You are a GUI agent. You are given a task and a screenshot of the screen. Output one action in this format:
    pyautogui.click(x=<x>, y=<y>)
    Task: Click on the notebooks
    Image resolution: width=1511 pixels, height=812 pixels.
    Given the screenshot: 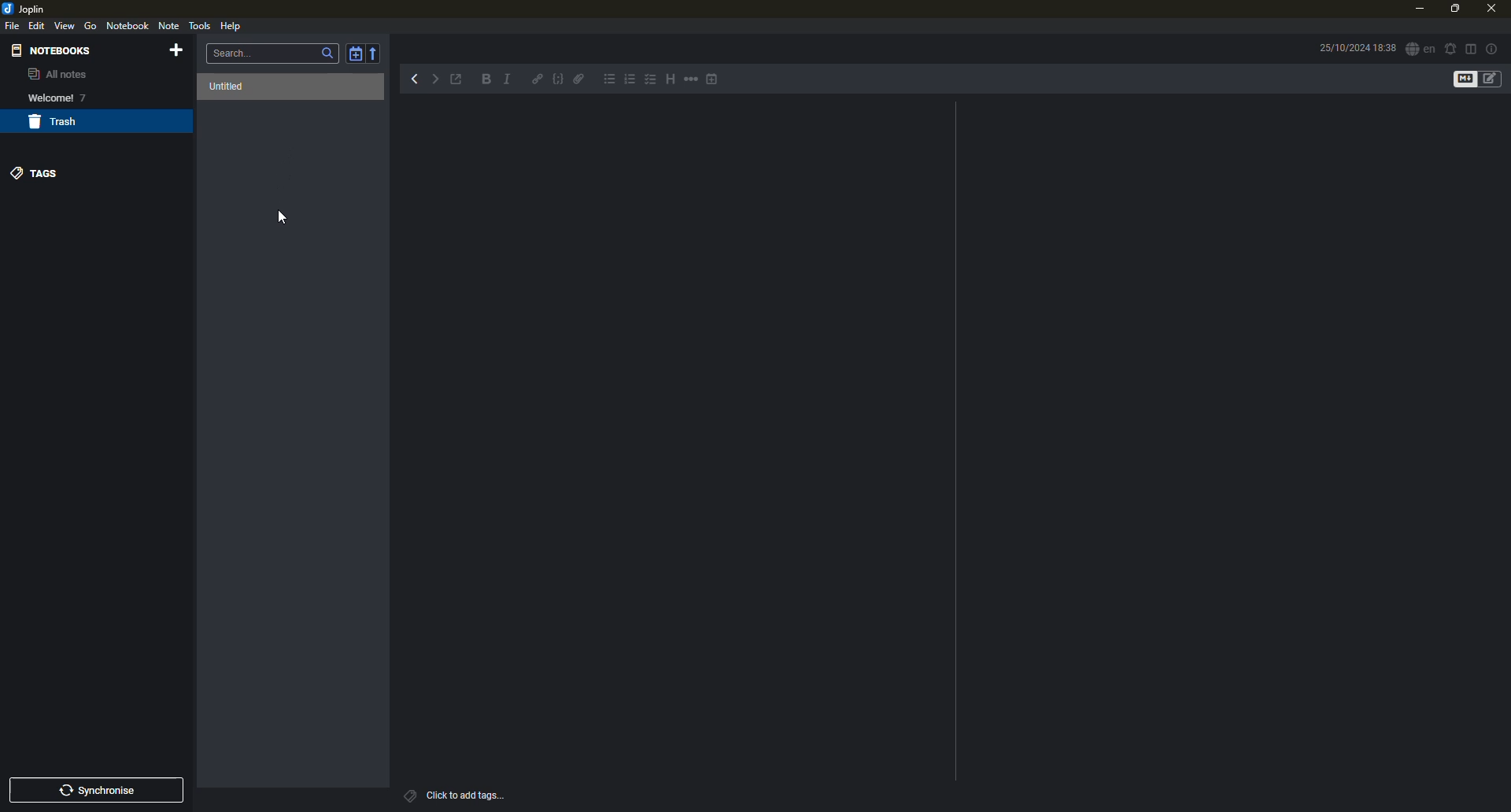 What is the action you would take?
    pyautogui.click(x=54, y=50)
    